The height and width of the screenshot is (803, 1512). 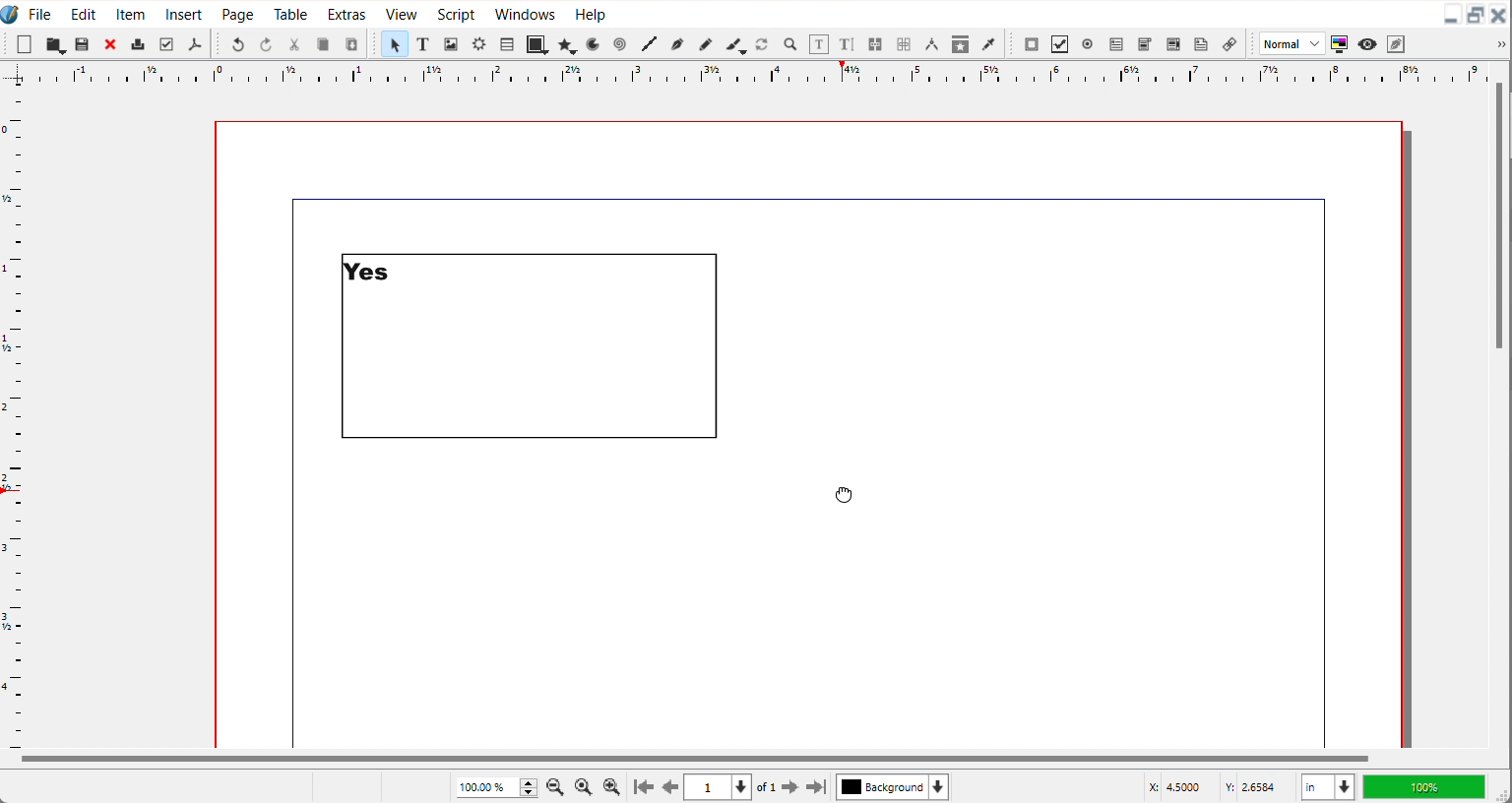 What do you see at coordinates (590, 13) in the screenshot?
I see `Help` at bounding box center [590, 13].